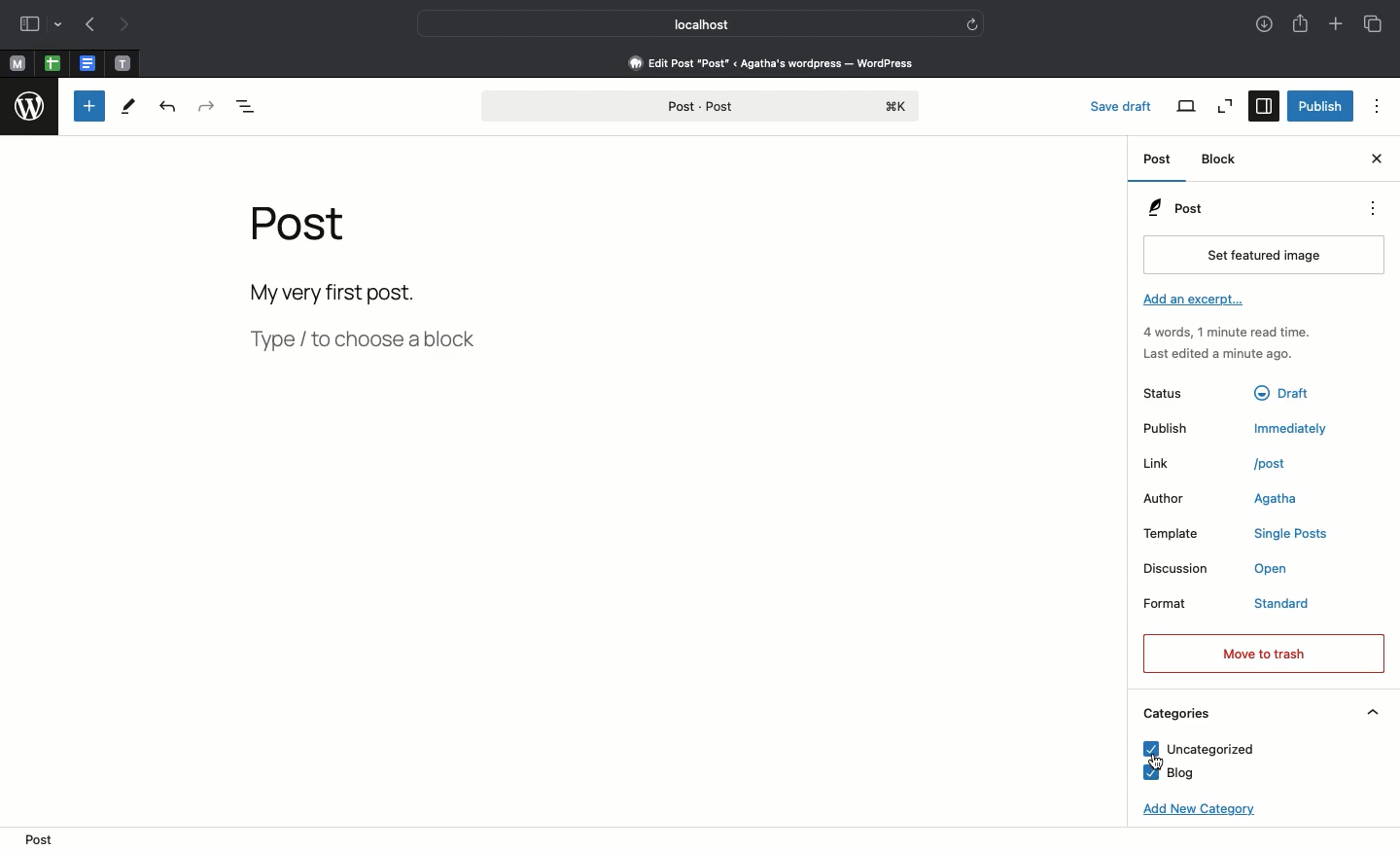 Image resolution: width=1400 pixels, height=850 pixels. I want to click on /post, so click(1280, 463).